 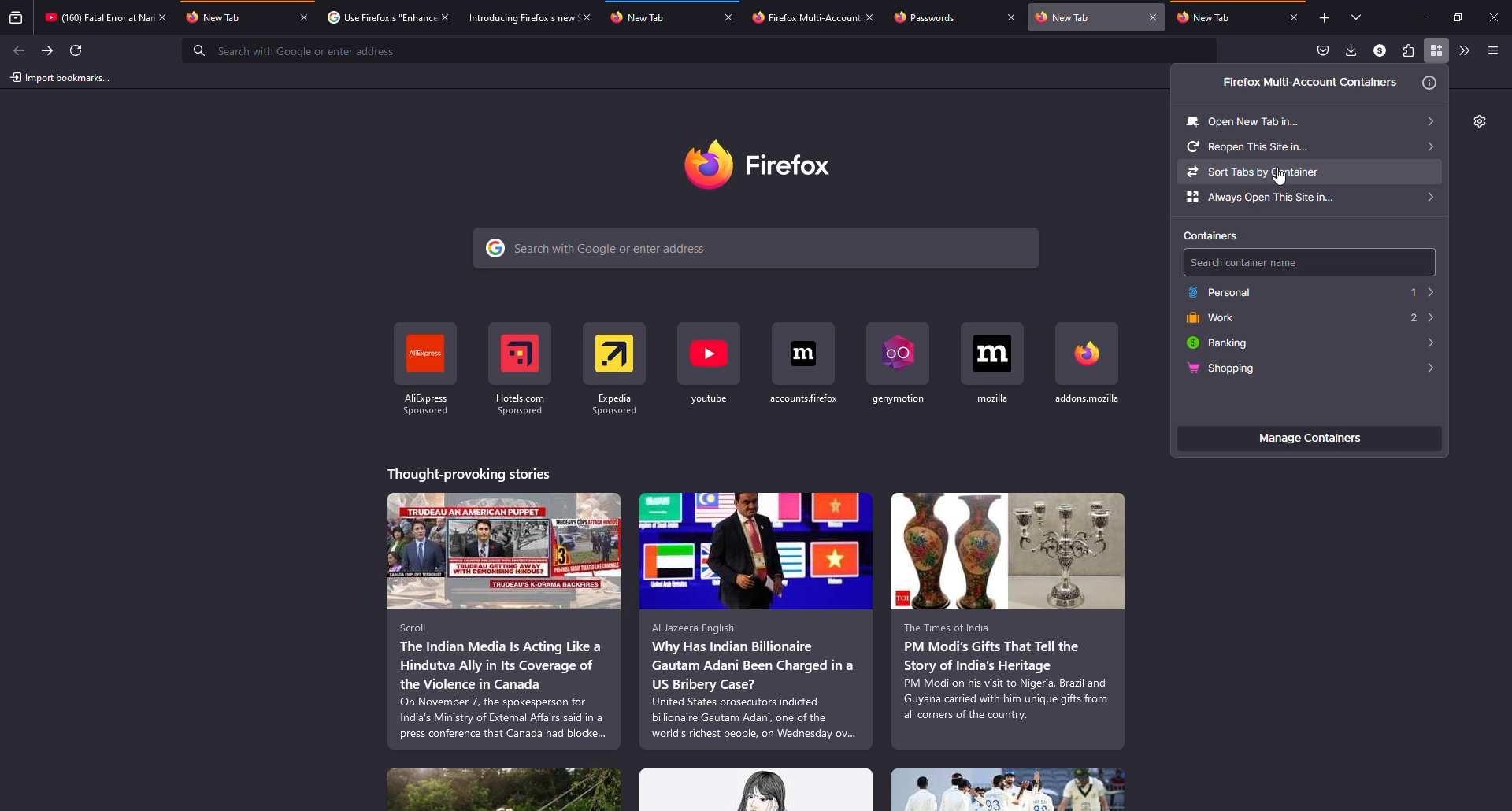 What do you see at coordinates (1011, 19) in the screenshot?
I see `close` at bounding box center [1011, 19].